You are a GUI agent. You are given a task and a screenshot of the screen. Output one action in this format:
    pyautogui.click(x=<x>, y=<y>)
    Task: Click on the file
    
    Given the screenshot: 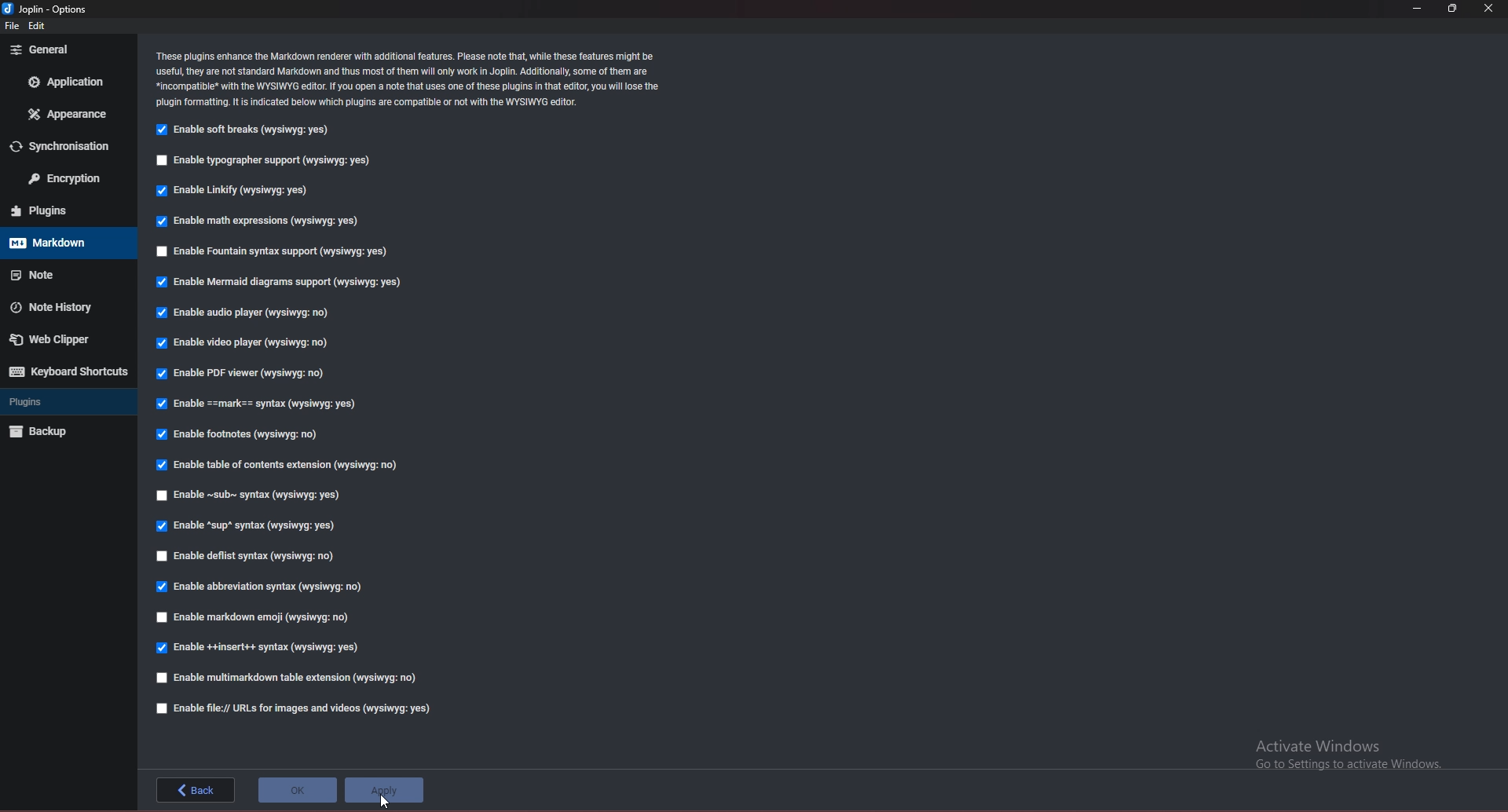 What is the action you would take?
    pyautogui.click(x=11, y=27)
    